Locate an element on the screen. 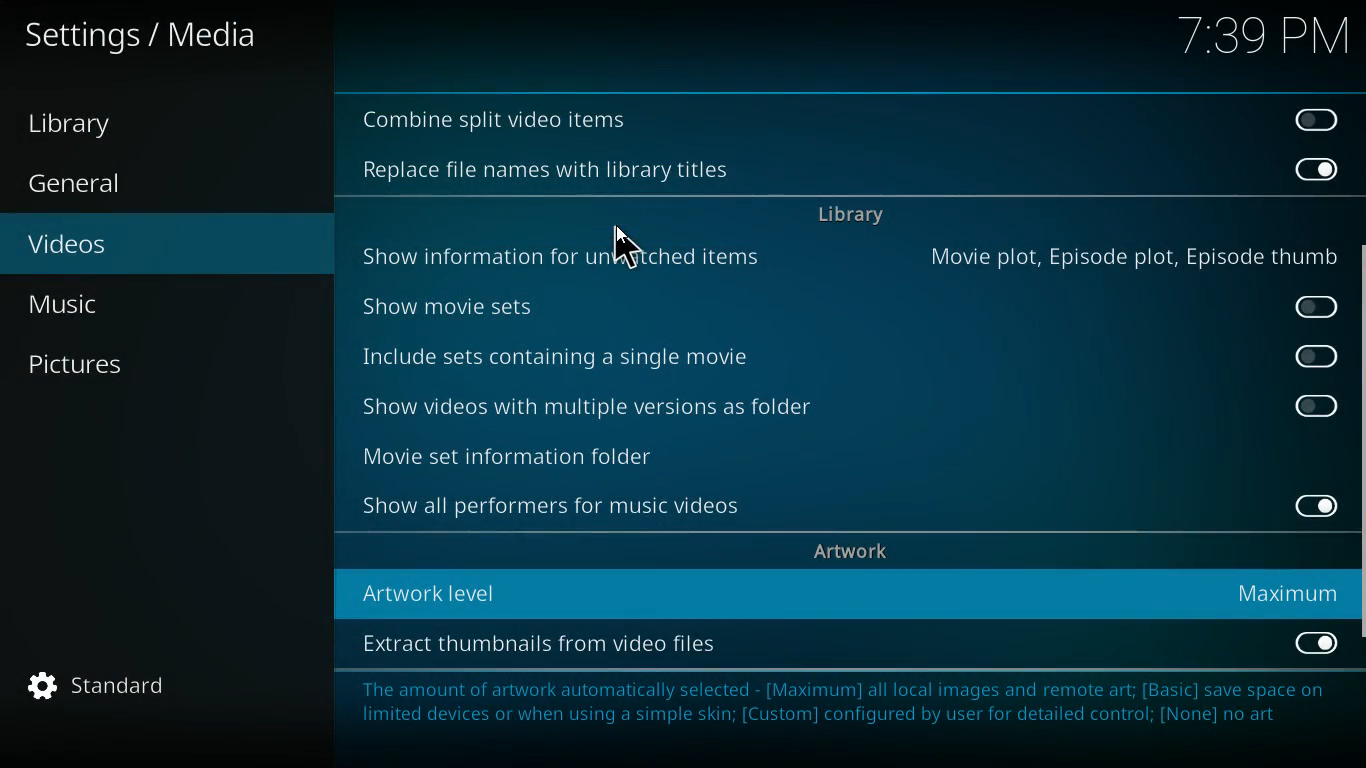 This screenshot has width=1366, height=768. library is located at coordinates (850, 218).